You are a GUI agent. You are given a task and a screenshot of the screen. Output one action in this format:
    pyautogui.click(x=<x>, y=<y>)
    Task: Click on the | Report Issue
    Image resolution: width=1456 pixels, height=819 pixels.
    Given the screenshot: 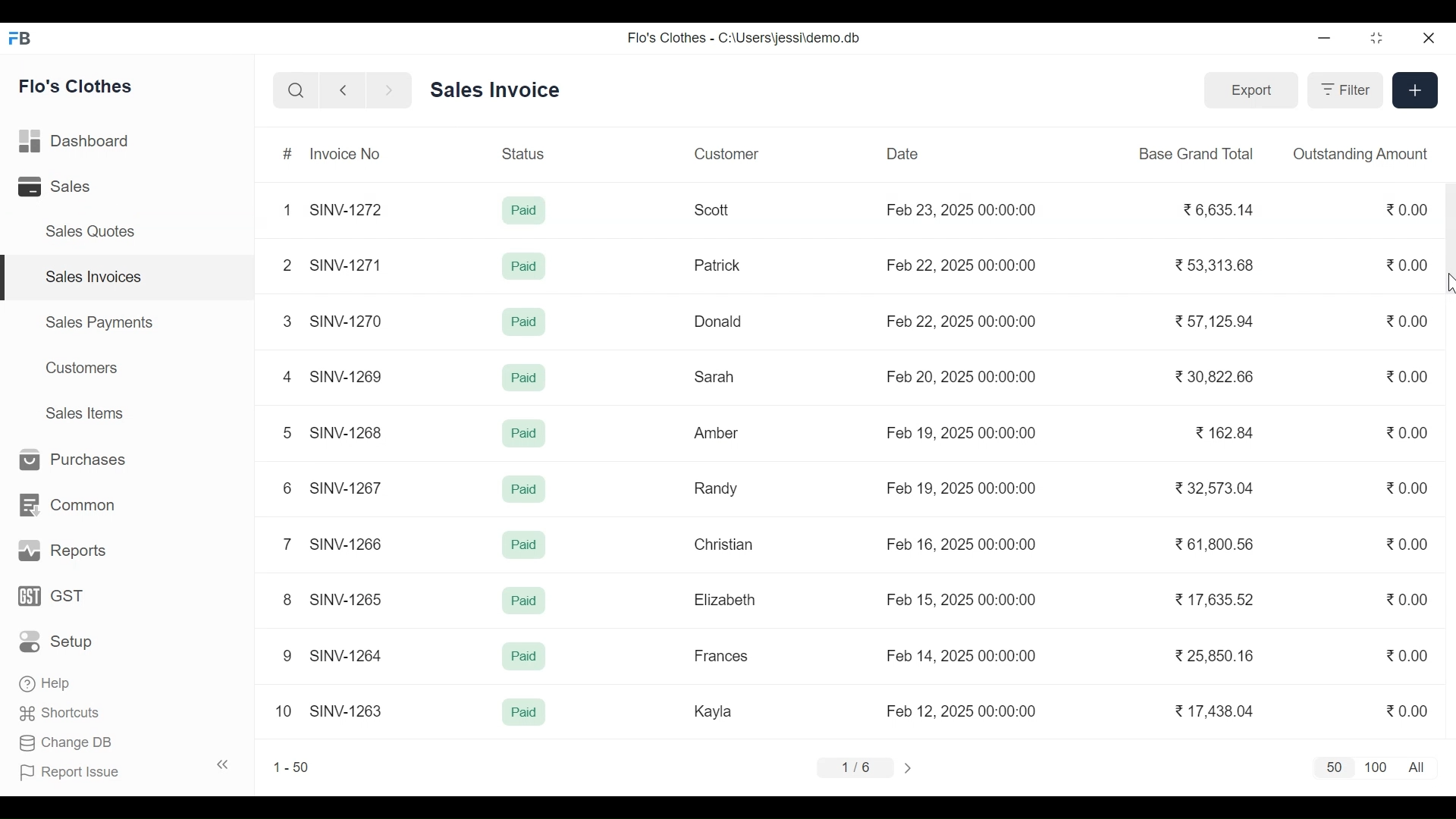 What is the action you would take?
    pyautogui.click(x=126, y=770)
    